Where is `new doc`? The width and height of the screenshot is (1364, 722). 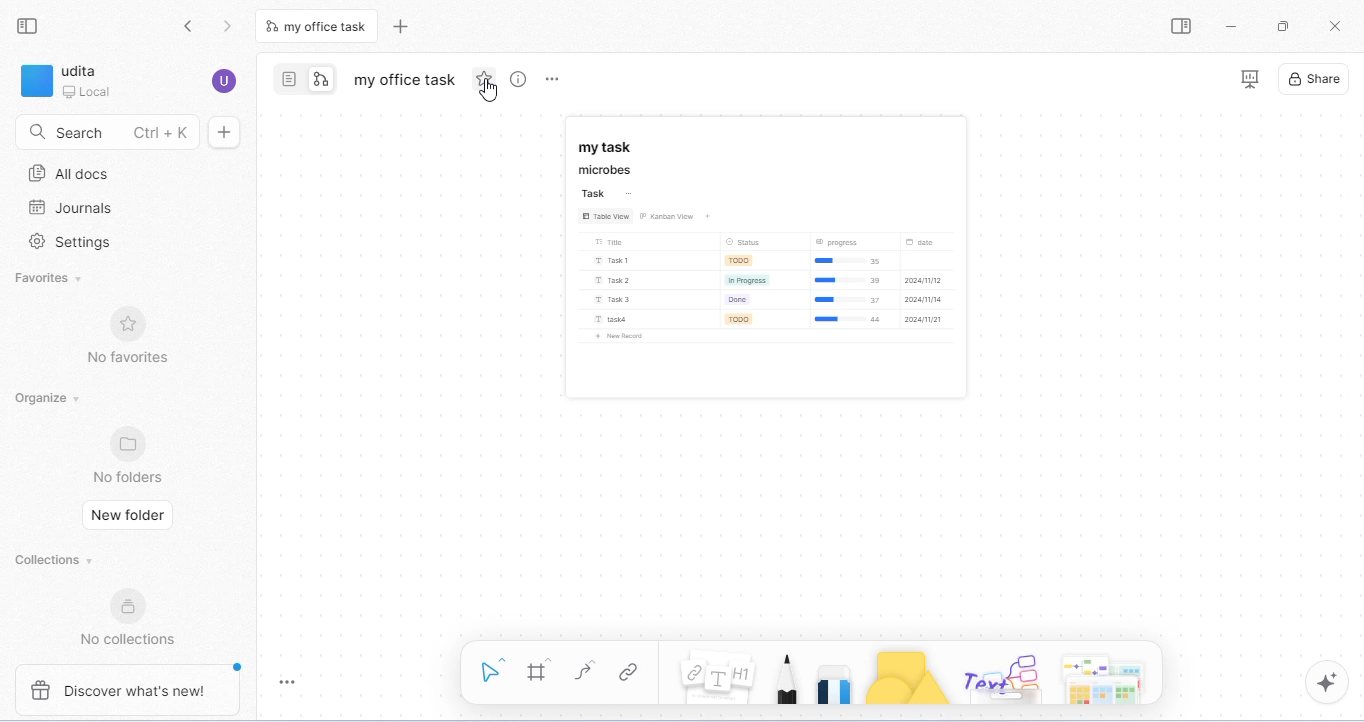
new doc is located at coordinates (225, 132).